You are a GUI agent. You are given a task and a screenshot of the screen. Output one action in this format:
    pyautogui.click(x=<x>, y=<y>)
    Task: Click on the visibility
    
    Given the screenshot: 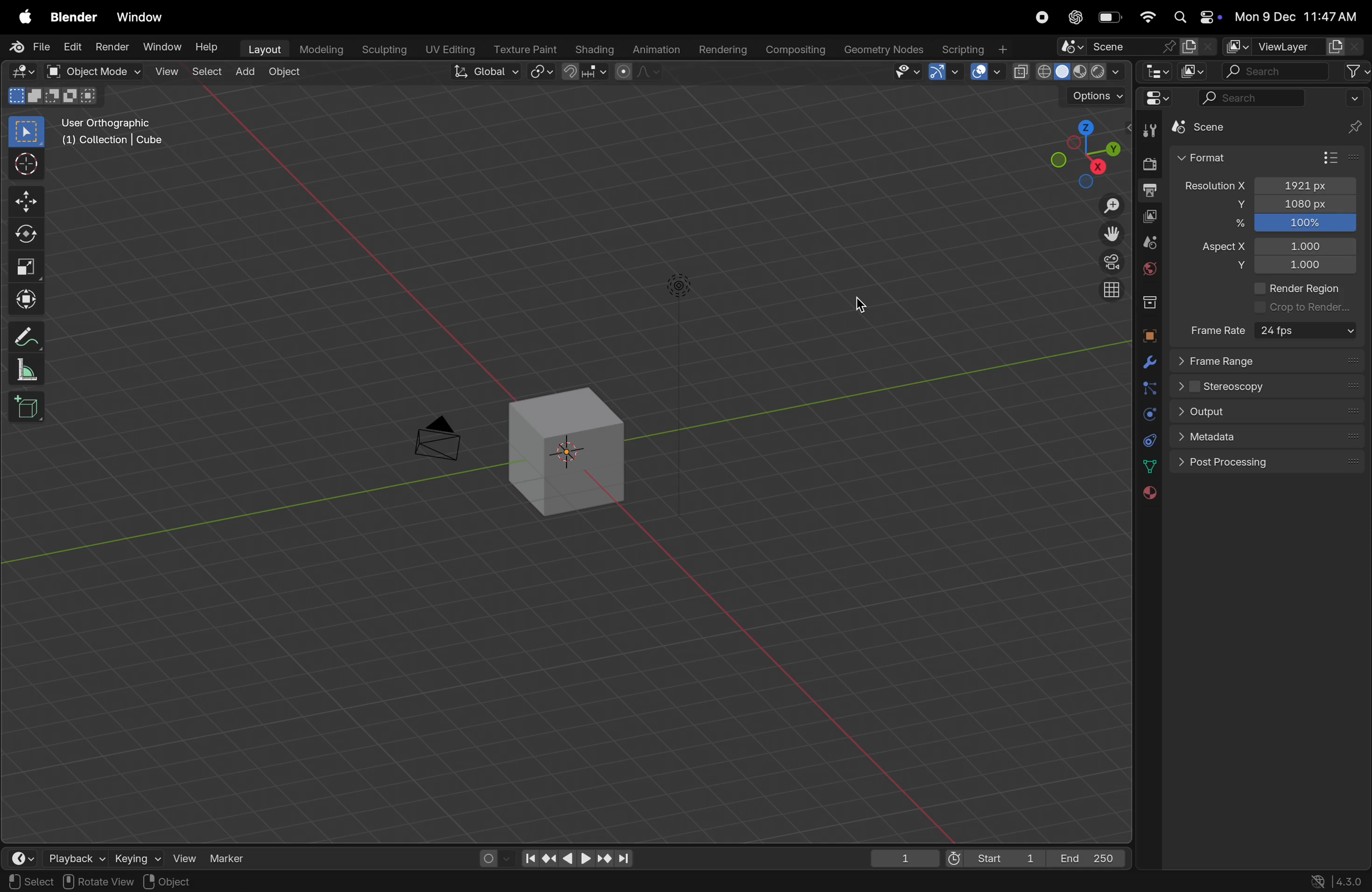 What is the action you would take?
    pyautogui.click(x=905, y=74)
    